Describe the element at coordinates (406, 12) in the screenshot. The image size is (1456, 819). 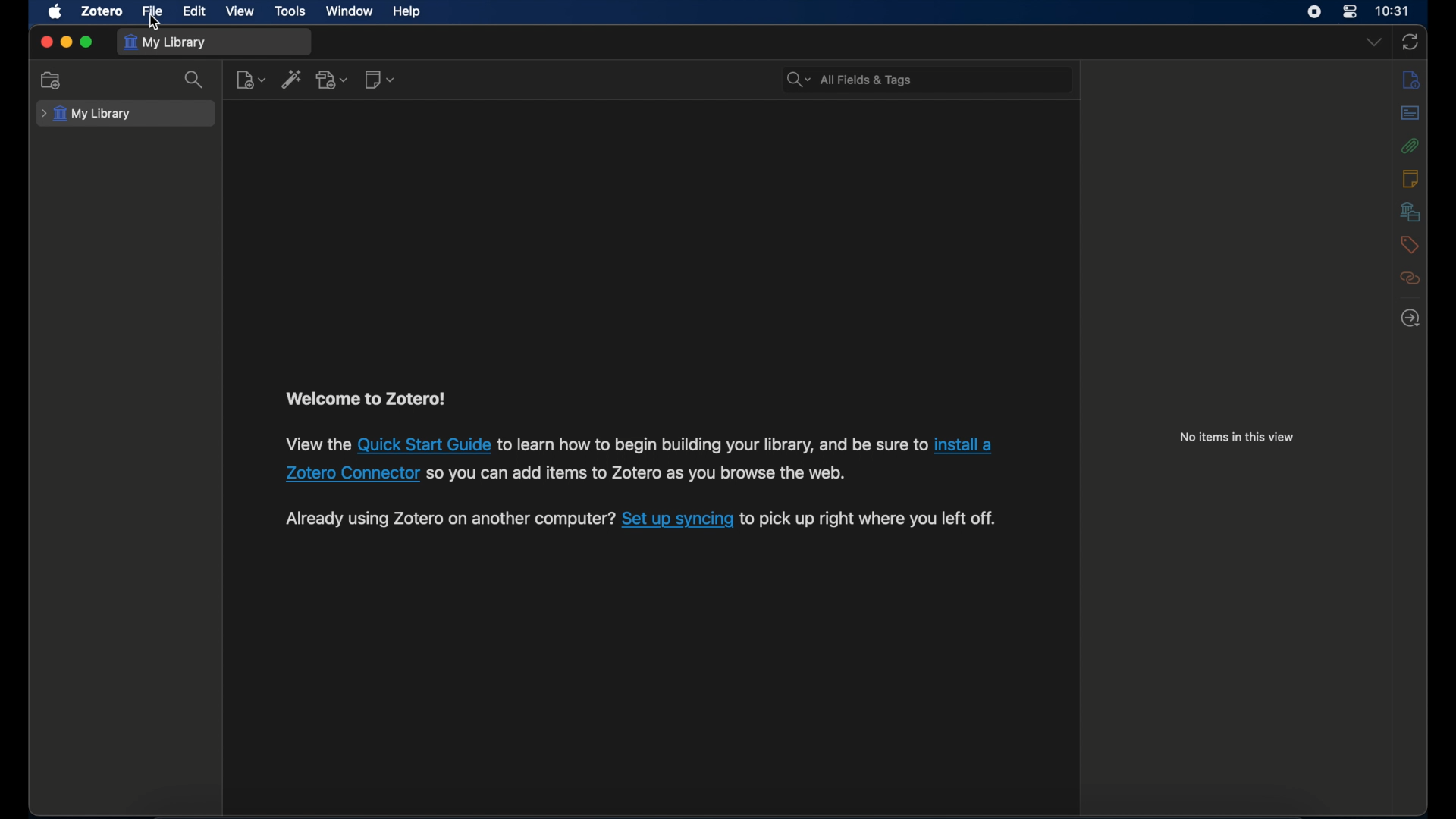
I see `help` at that location.